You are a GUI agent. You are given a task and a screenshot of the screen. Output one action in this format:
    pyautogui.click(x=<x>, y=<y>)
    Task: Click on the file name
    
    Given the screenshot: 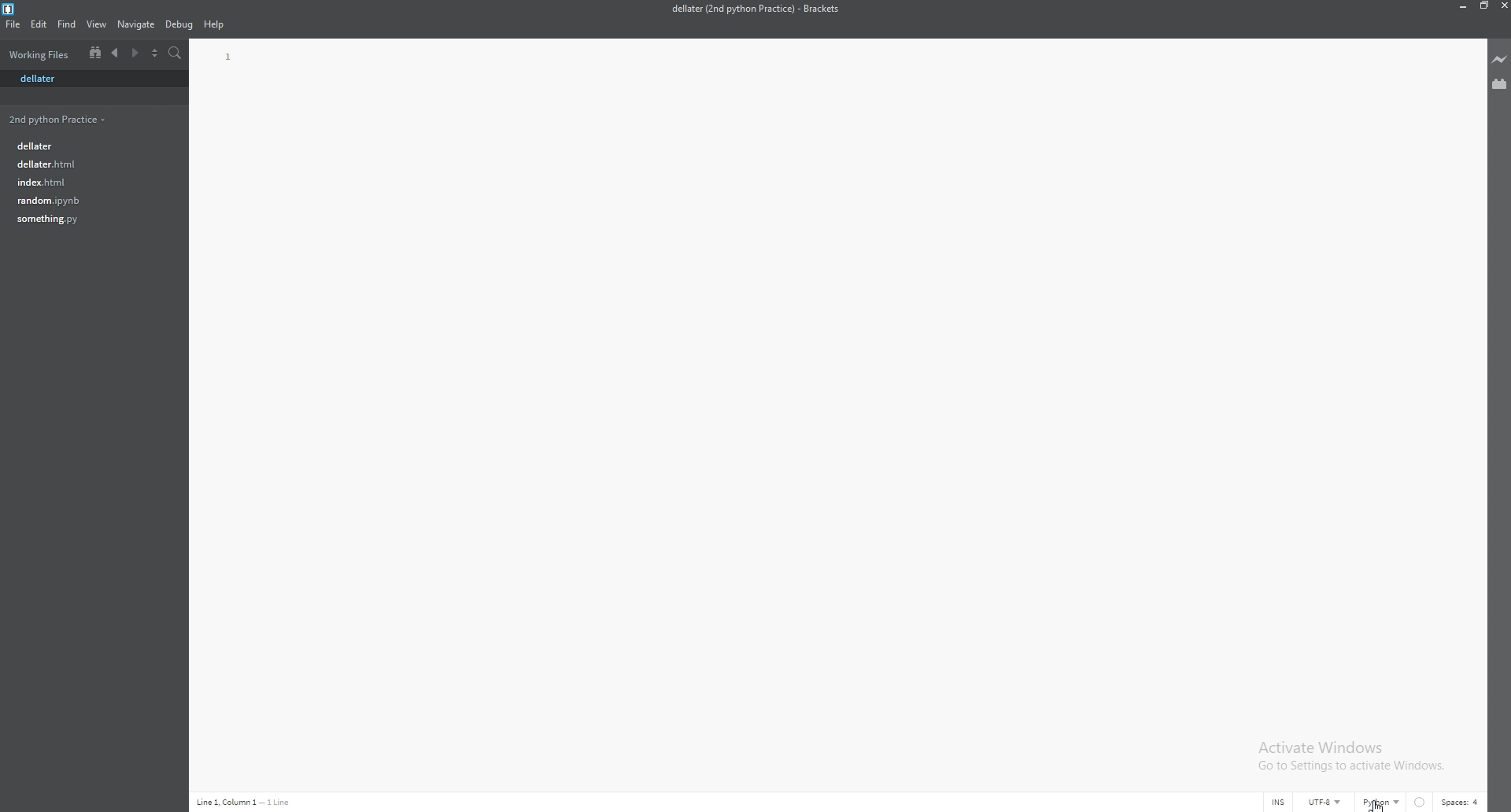 What is the action you would take?
    pyautogui.click(x=755, y=9)
    